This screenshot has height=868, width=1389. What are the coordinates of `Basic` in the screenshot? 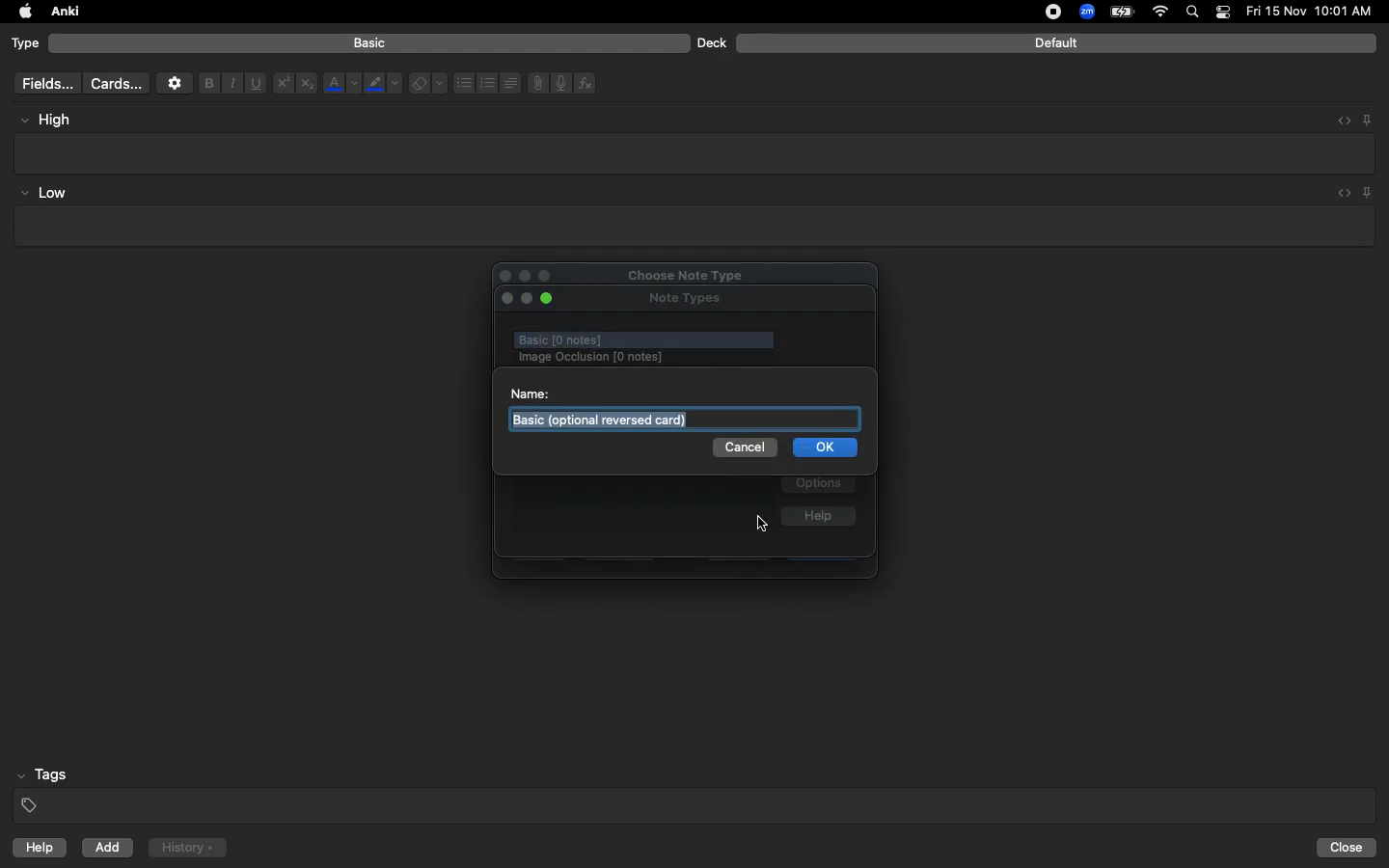 It's located at (370, 43).